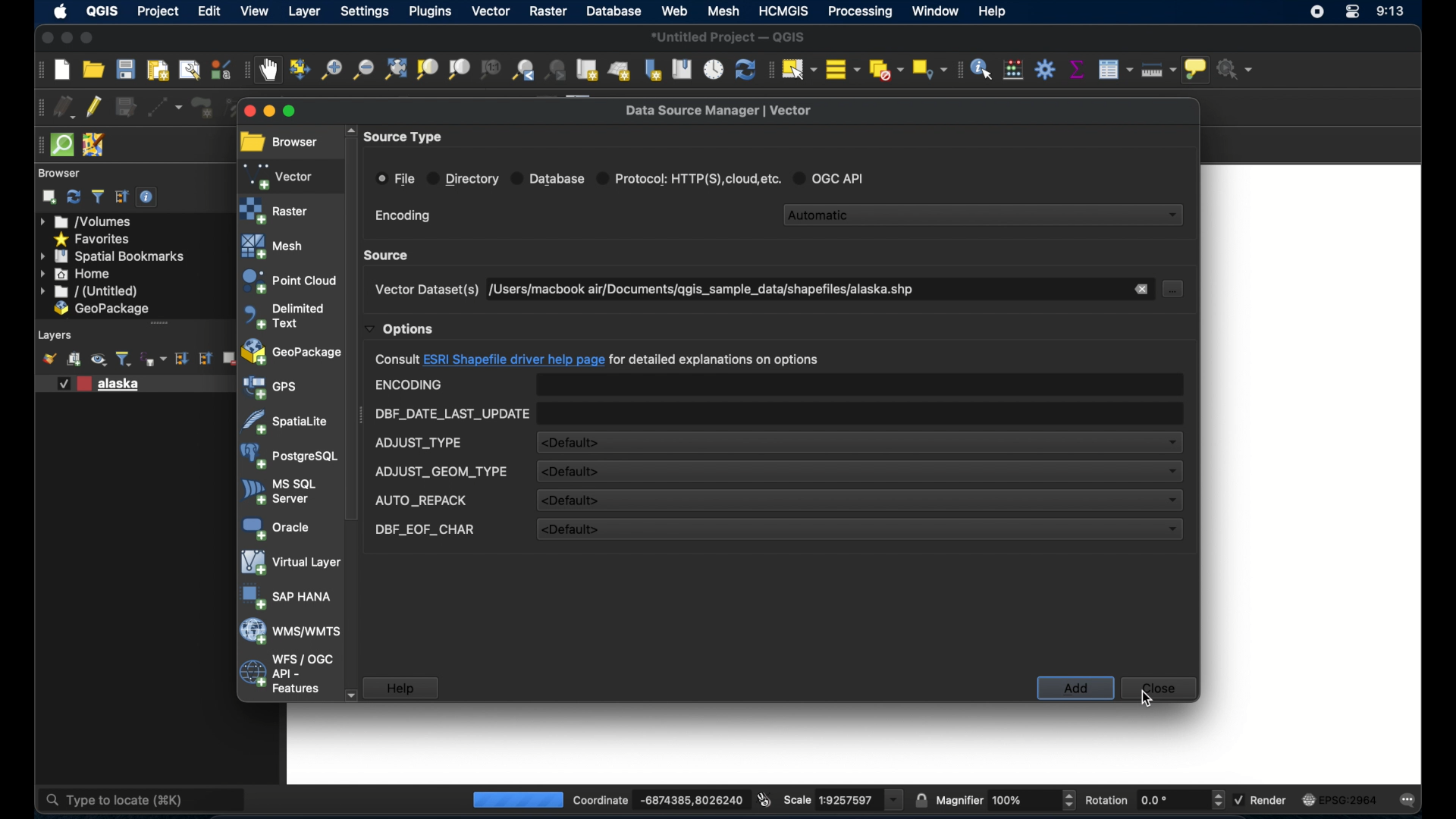 The image size is (1456, 819). Describe the element at coordinates (353, 329) in the screenshot. I see `scroll box` at that location.